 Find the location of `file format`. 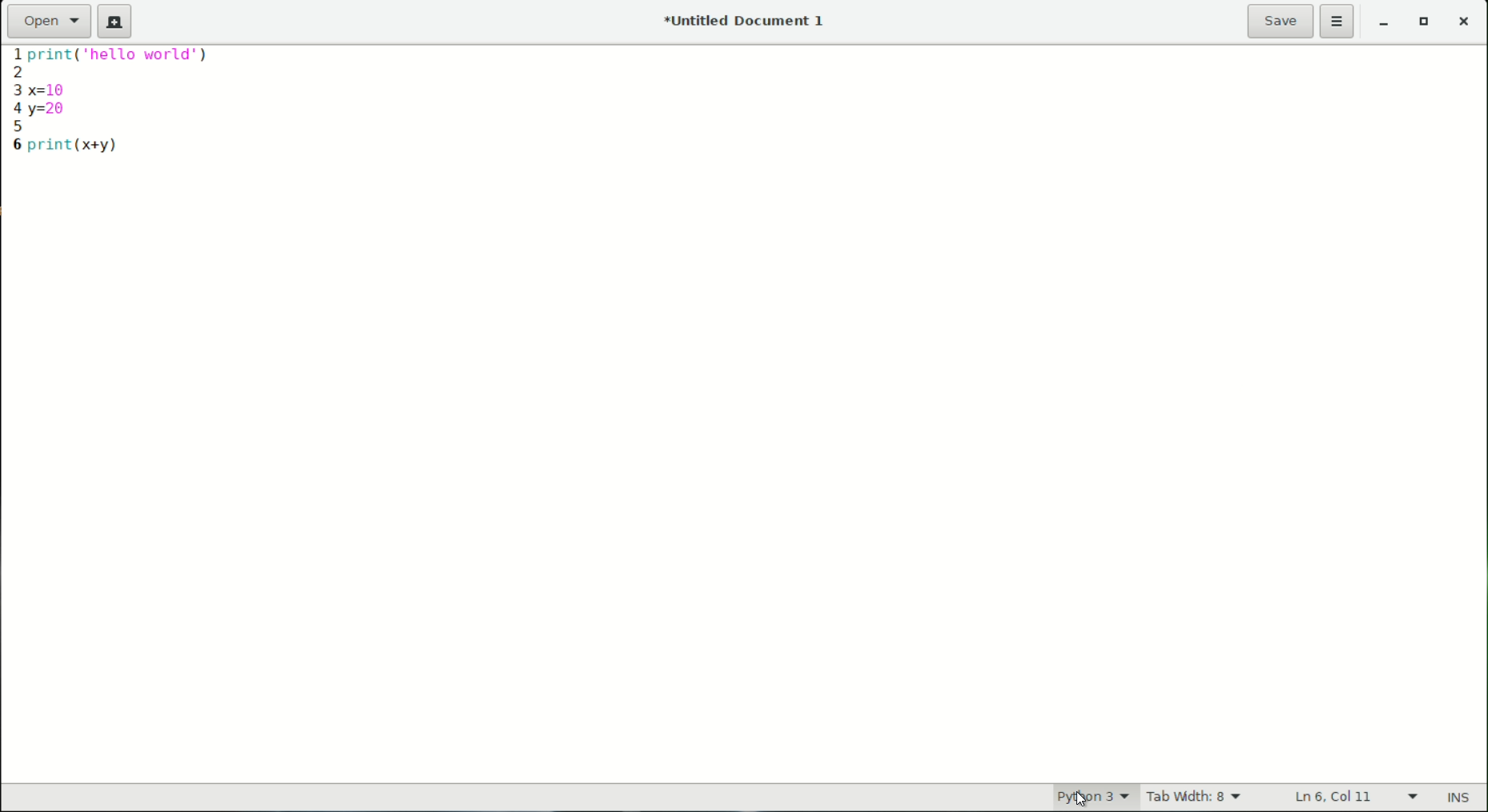

file format is located at coordinates (1080, 796).